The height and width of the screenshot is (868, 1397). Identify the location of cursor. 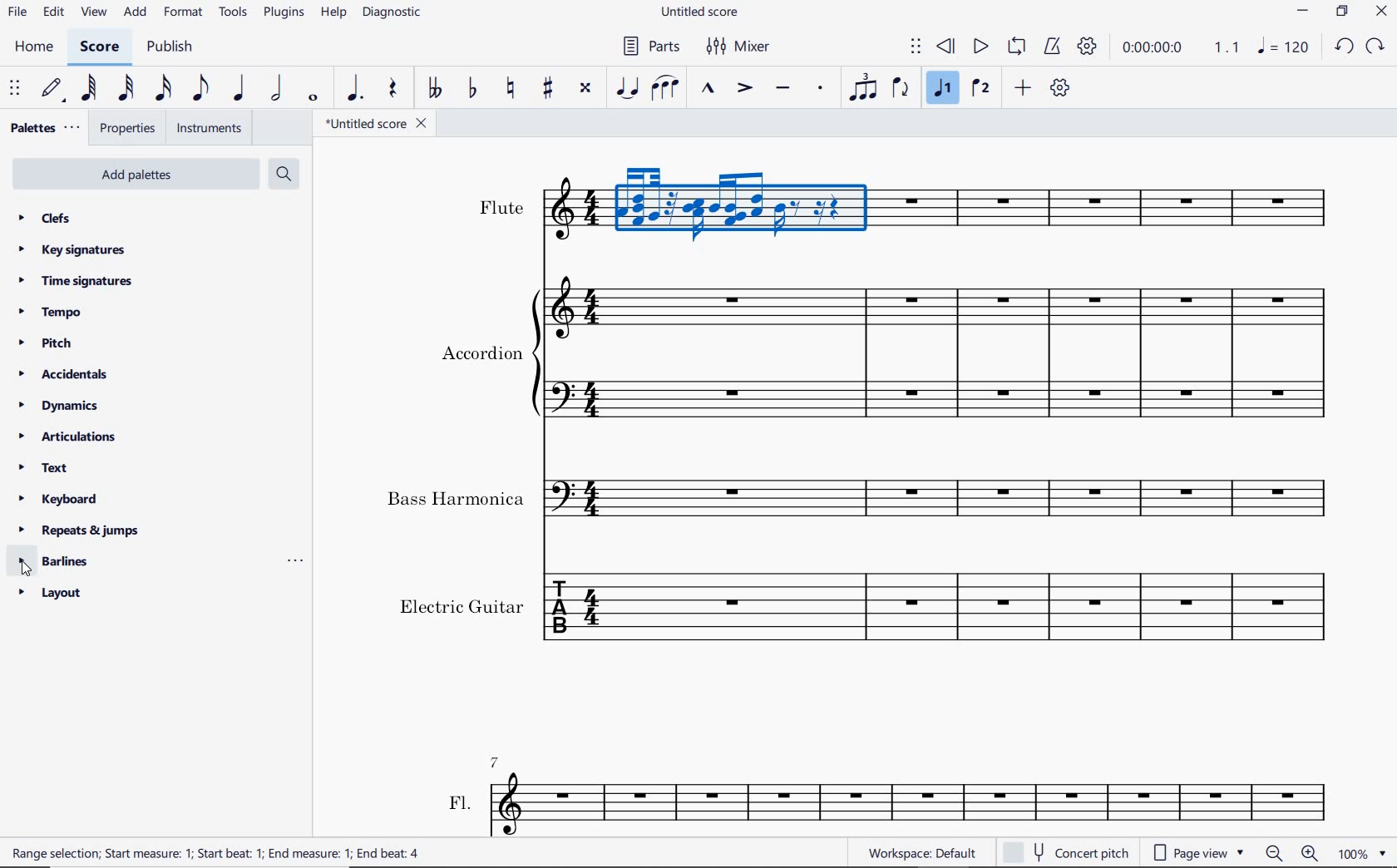
(26, 569).